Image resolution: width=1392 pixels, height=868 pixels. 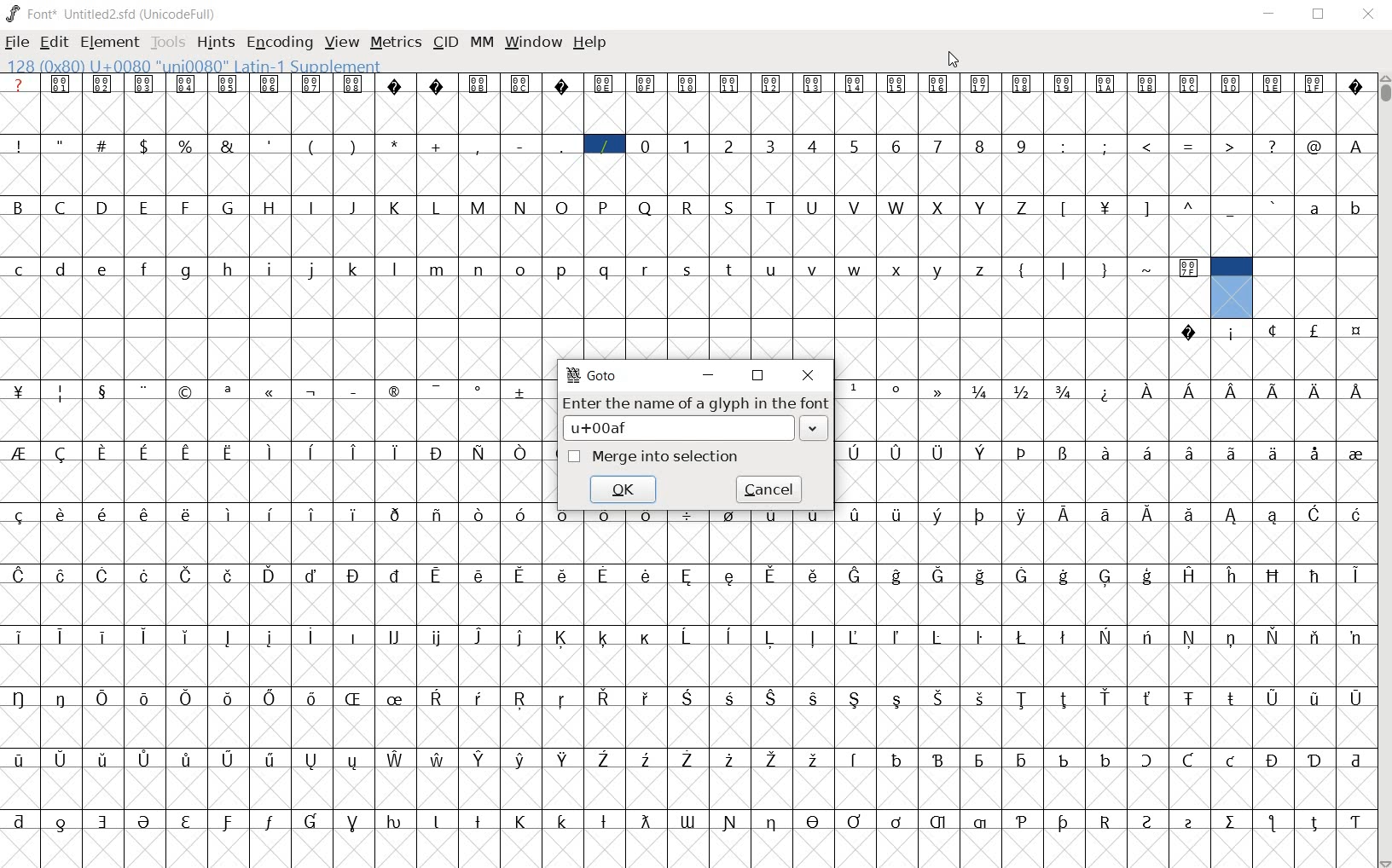 I want to click on Symbol, so click(x=354, y=575).